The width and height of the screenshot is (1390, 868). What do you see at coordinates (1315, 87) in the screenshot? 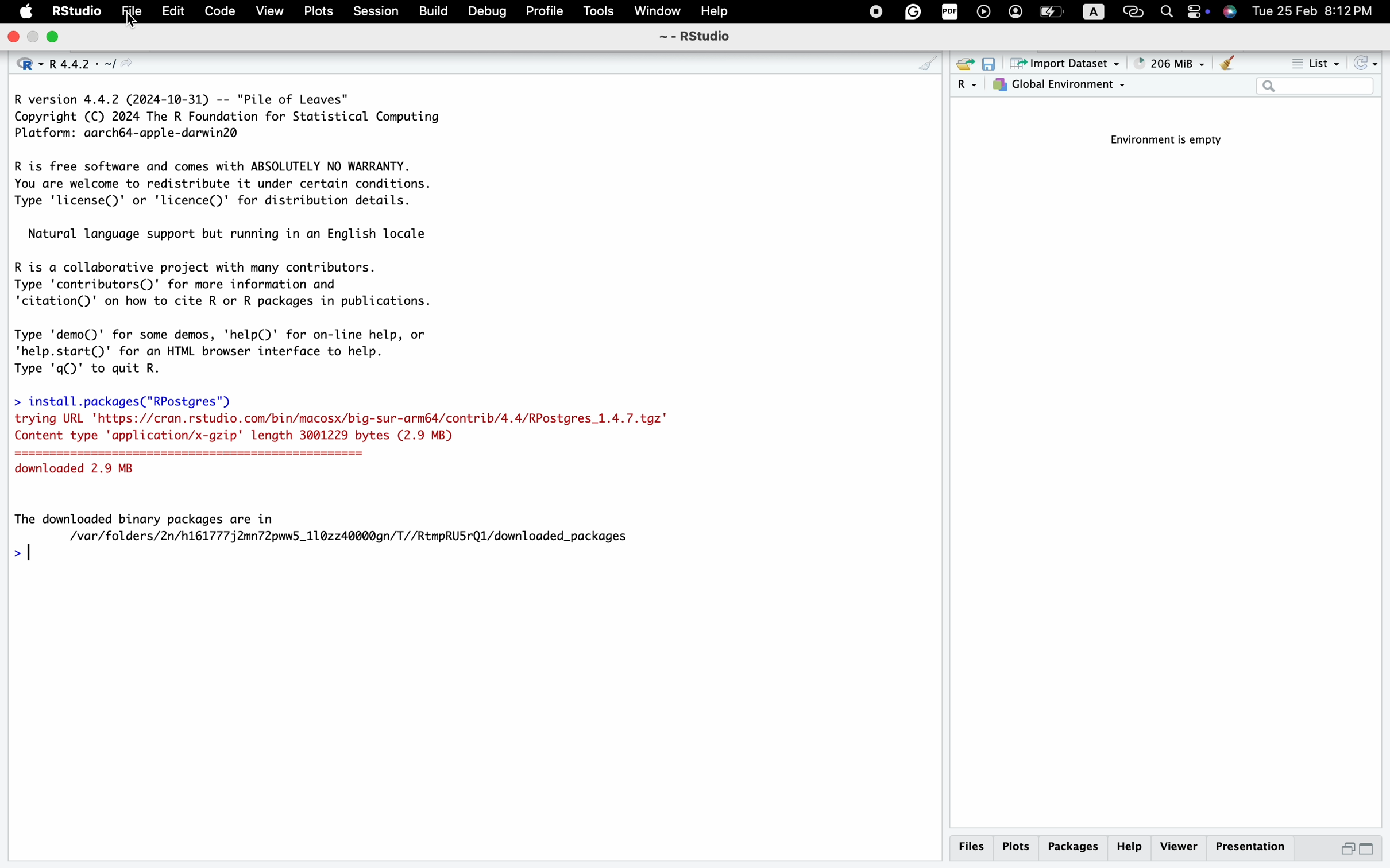
I see `search field` at bounding box center [1315, 87].